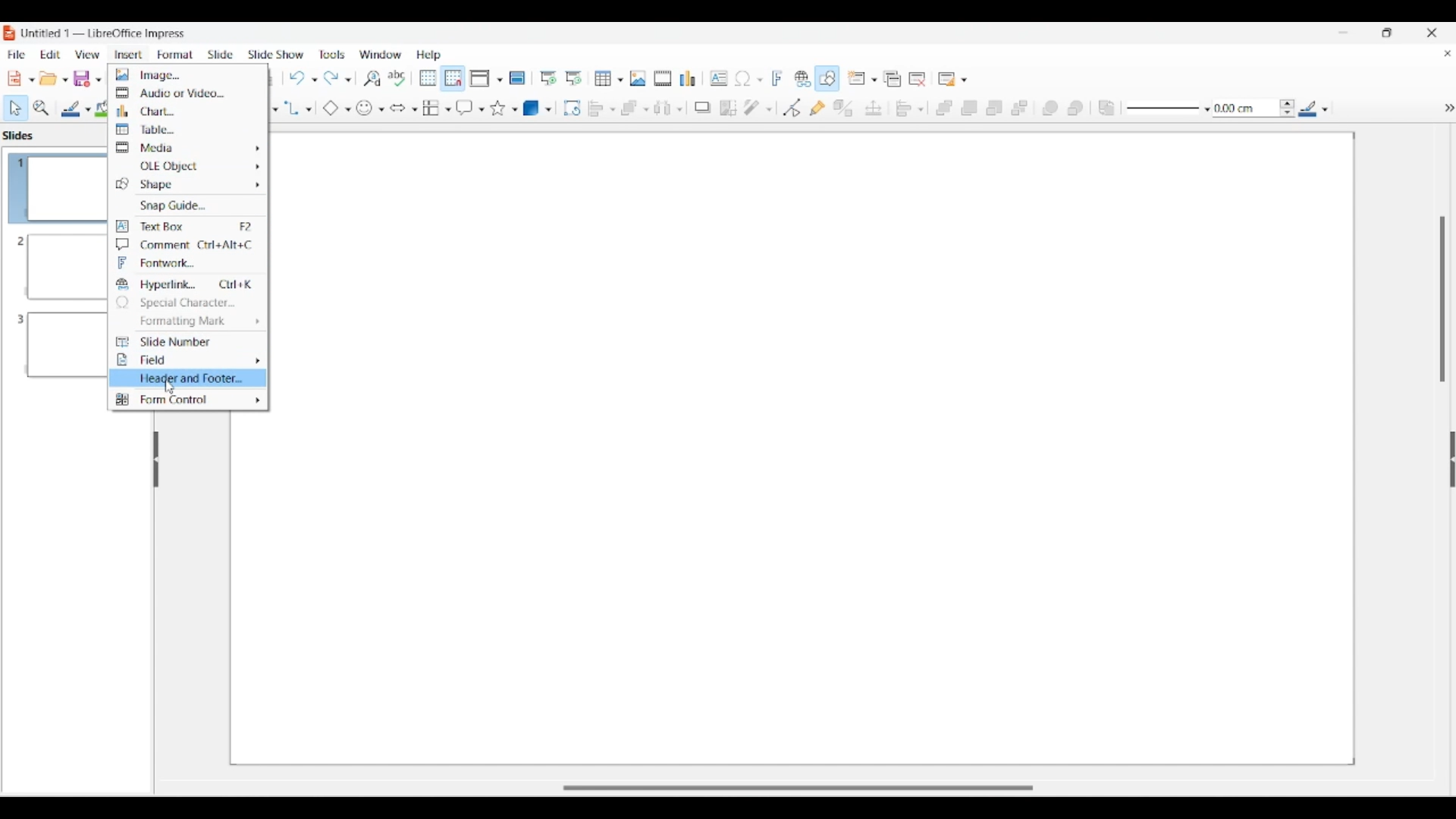 The width and height of the screenshot is (1456, 819). Describe the element at coordinates (303, 78) in the screenshot. I see `Undo options` at that location.